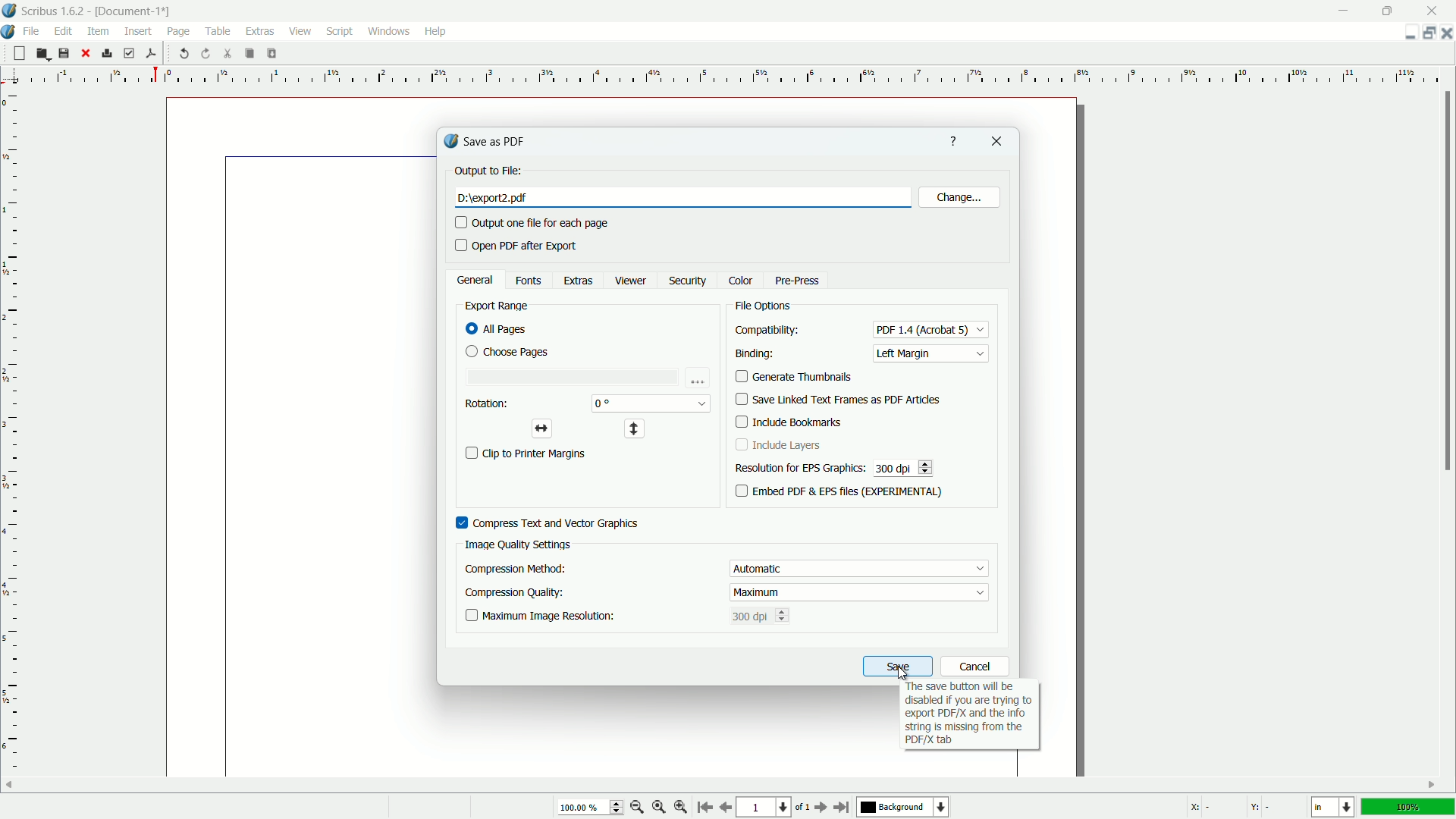 The width and height of the screenshot is (1456, 819). Describe the element at coordinates (704, 403) in the screenshot. I see `dropdown` at that location.